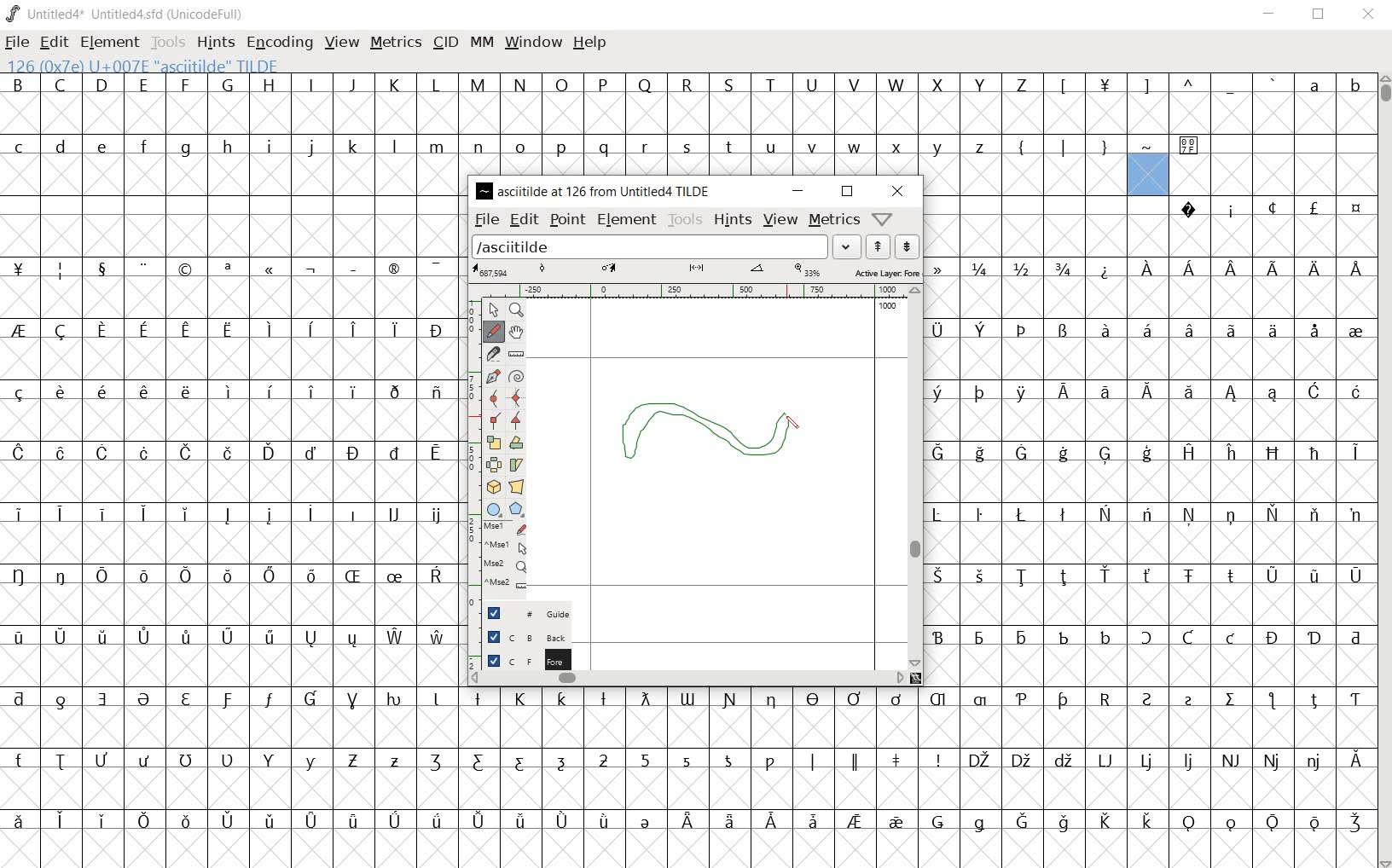 The width and height of the screenshot is (1392, 868). Describe the element at coordinates (589, 43) in the screenshot. I see `HELP` at that location.